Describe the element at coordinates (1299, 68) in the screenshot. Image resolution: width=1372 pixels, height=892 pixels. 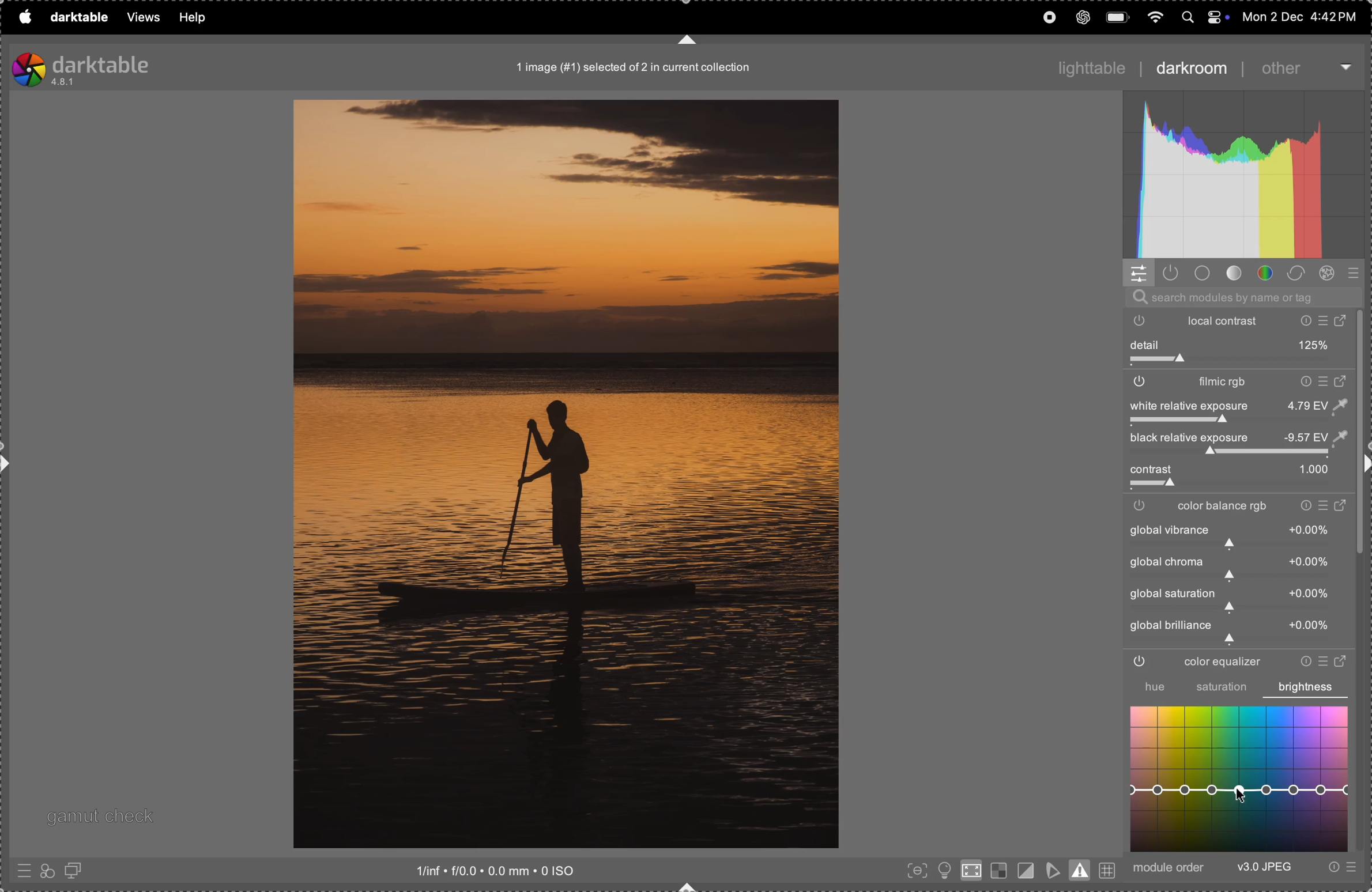
I see `other` at that location.